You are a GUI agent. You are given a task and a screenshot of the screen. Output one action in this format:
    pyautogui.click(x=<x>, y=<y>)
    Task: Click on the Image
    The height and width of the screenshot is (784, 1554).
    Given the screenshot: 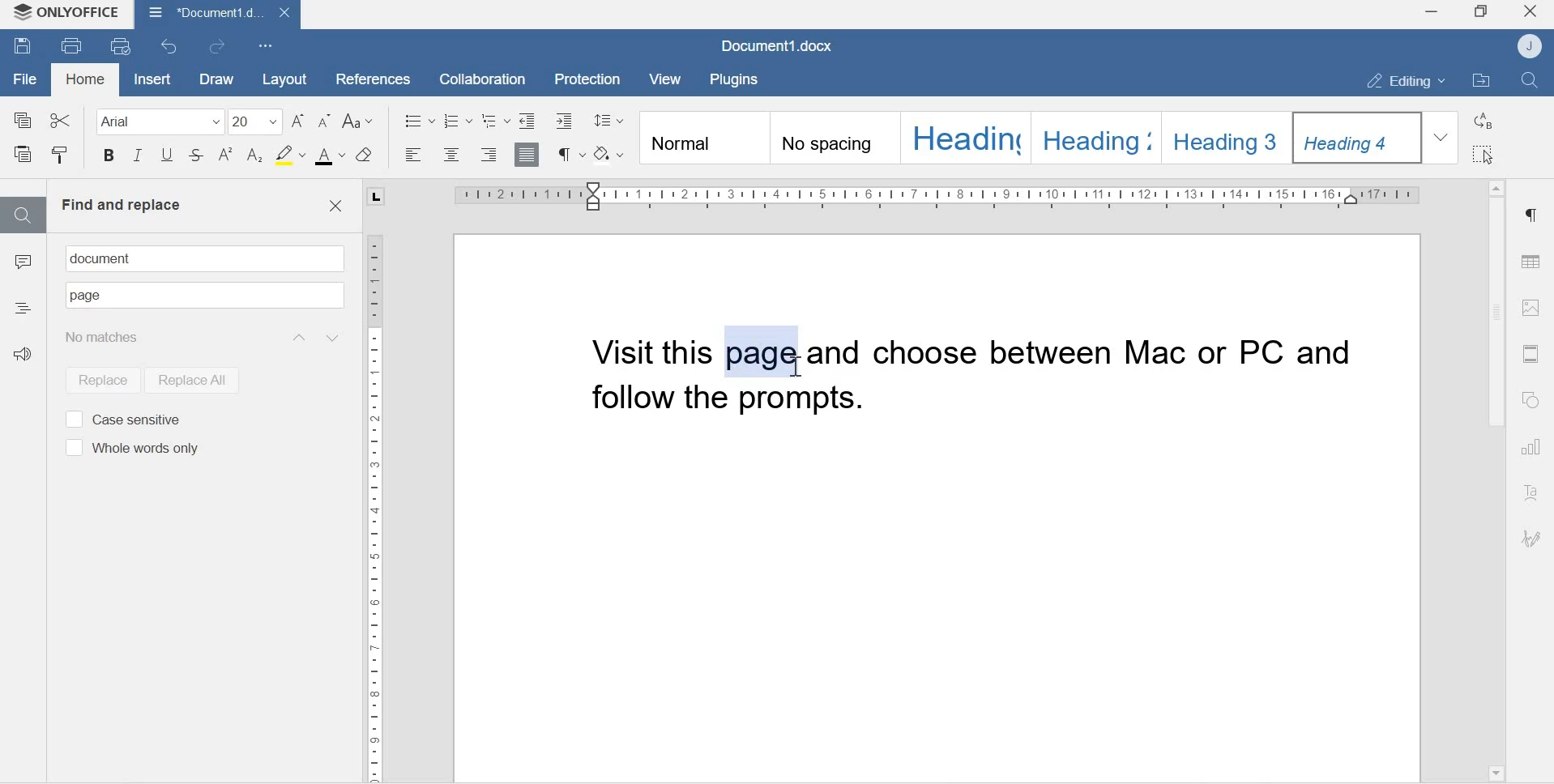 What is the action you would take?
    pyautogui.click(x=1531, y=307)
    